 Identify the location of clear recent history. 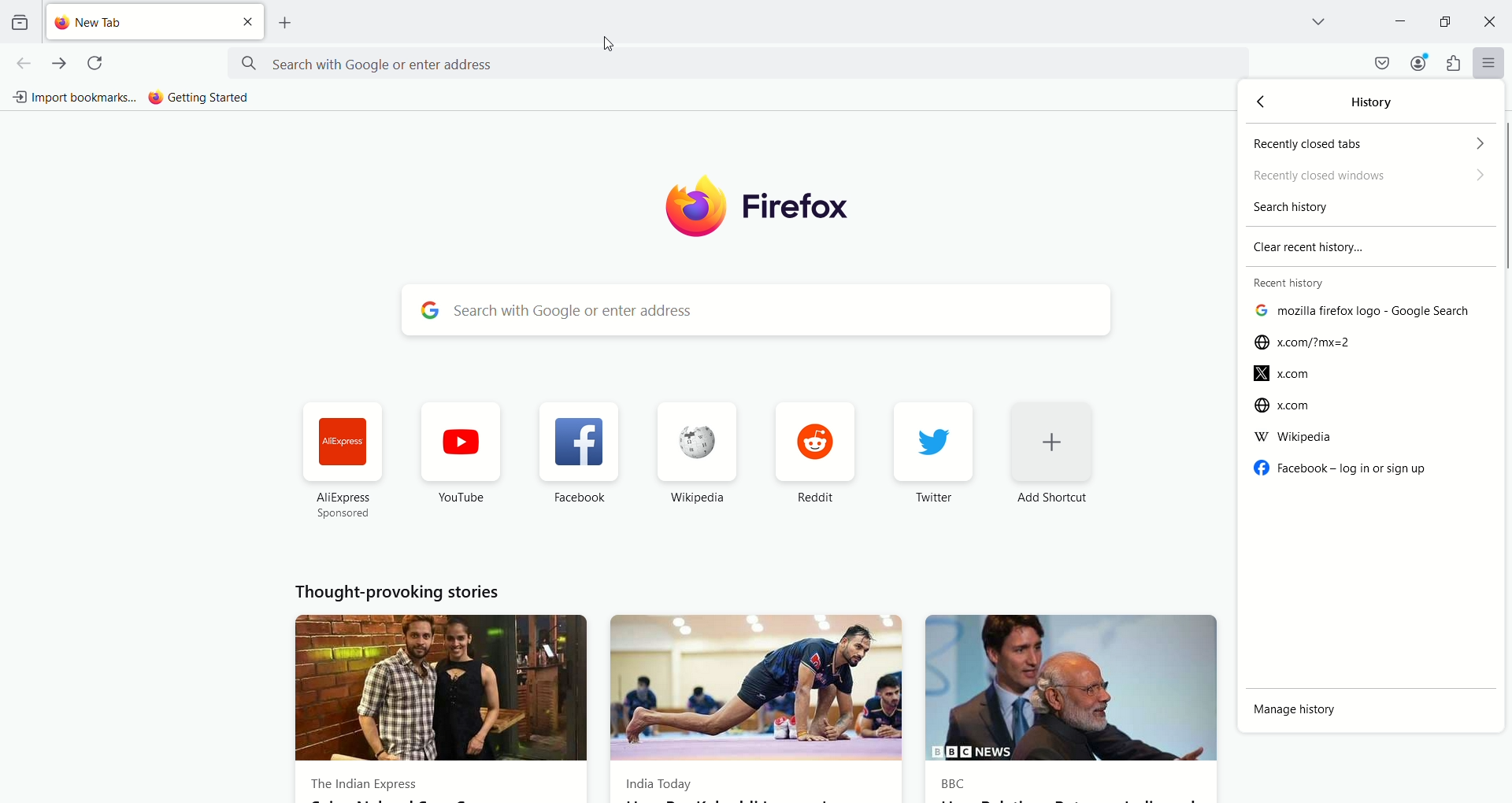
(1371, 250).